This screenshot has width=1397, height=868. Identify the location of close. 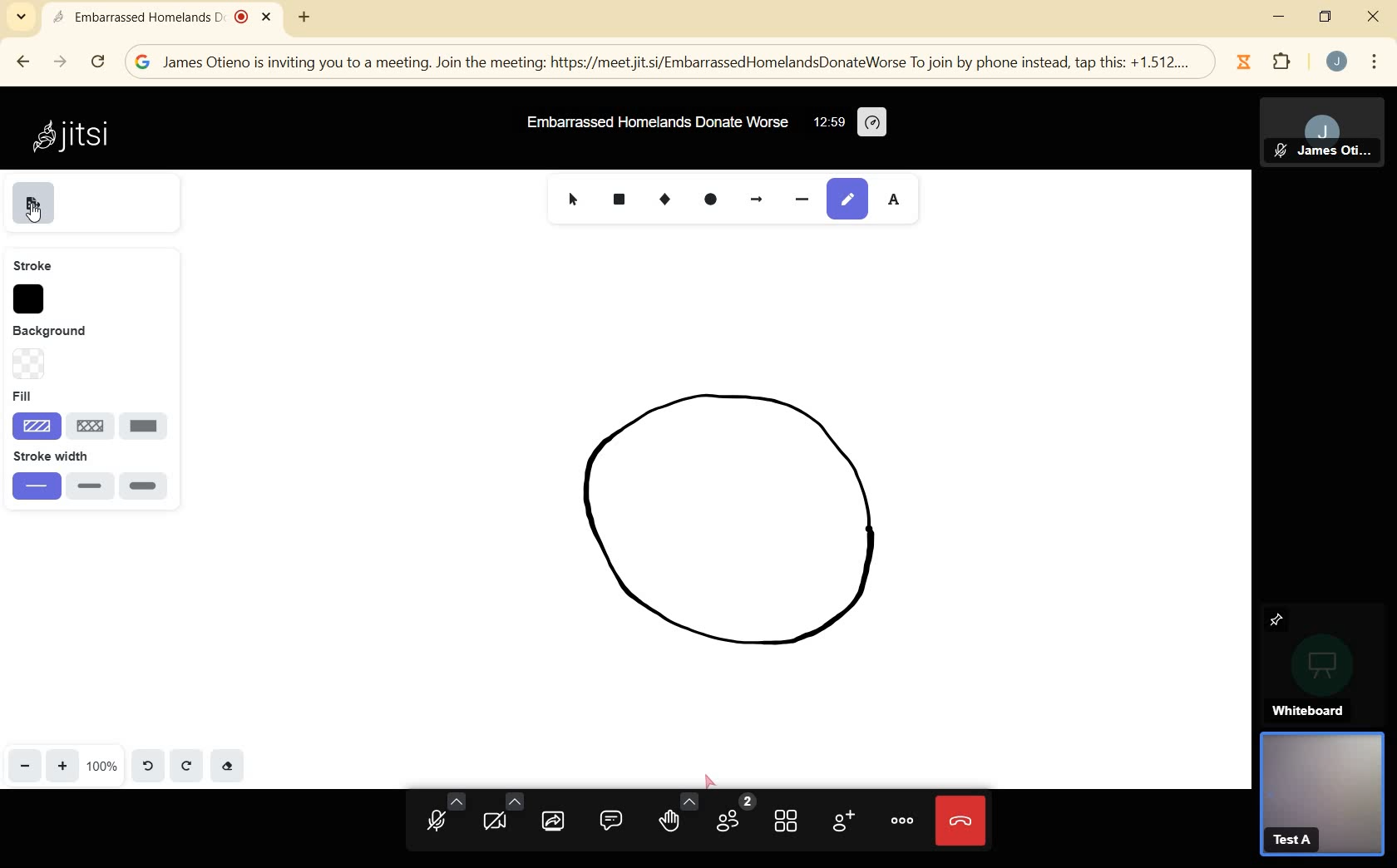
(1372, 17).